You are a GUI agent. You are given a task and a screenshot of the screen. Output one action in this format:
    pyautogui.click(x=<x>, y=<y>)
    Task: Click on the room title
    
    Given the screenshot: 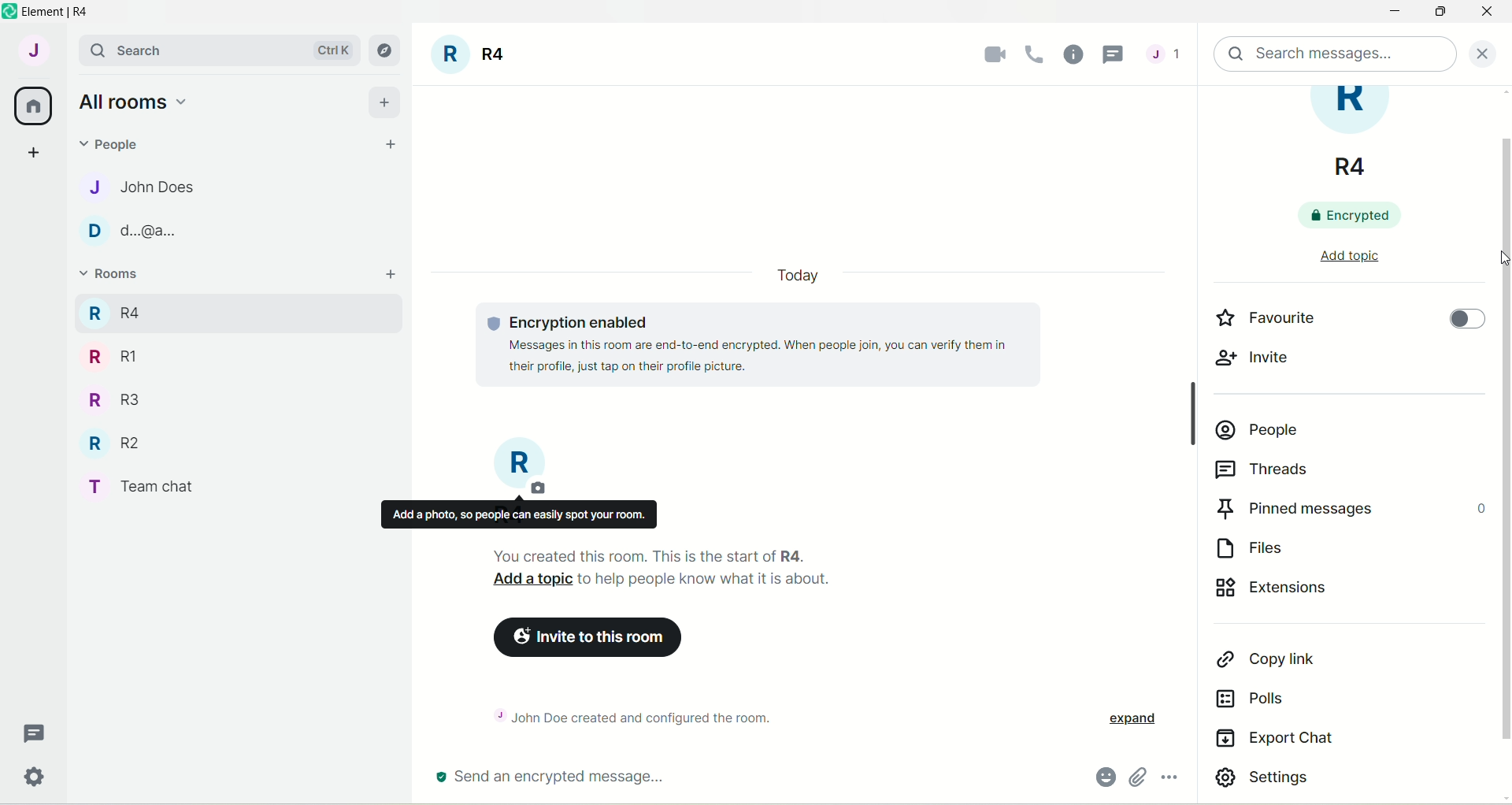 What is the action you would take?
    pyautogui.click(x=1358, y=131)
    